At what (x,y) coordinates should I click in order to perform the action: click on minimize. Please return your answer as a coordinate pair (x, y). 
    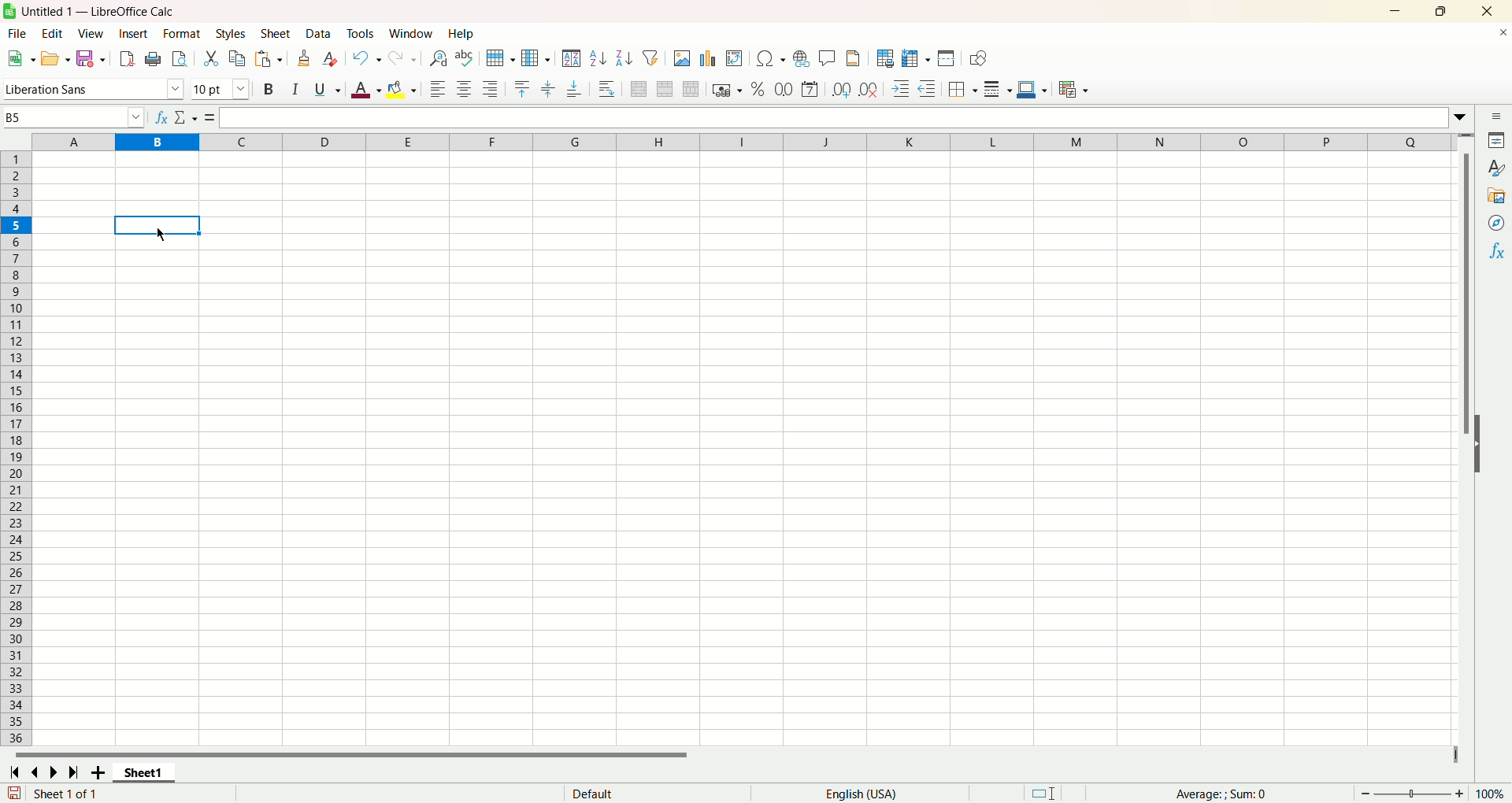
    Looking at the image, I should click on (1400, 12).